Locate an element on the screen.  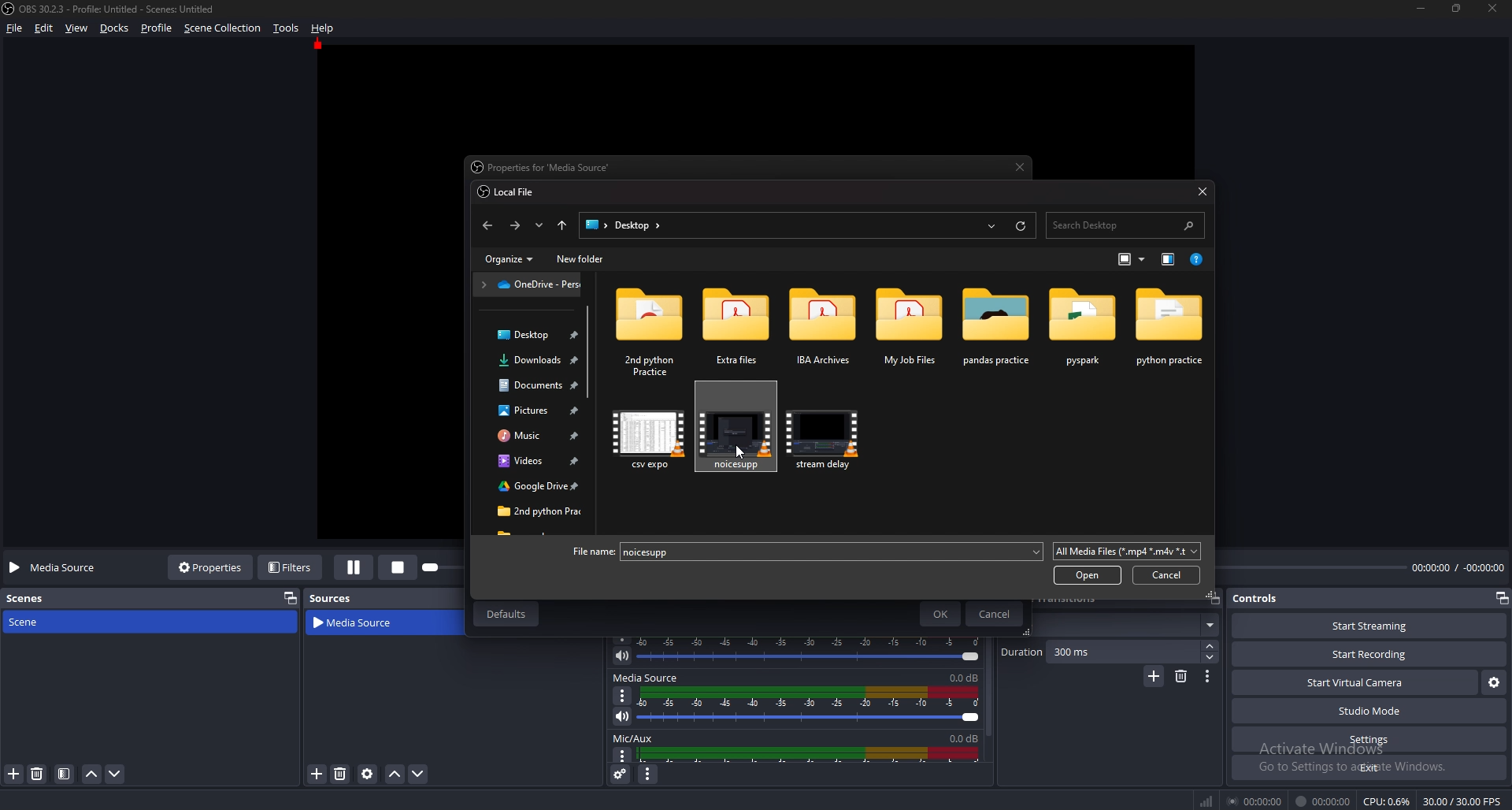
properties for 'media source' is located at coordinates (547, 169).